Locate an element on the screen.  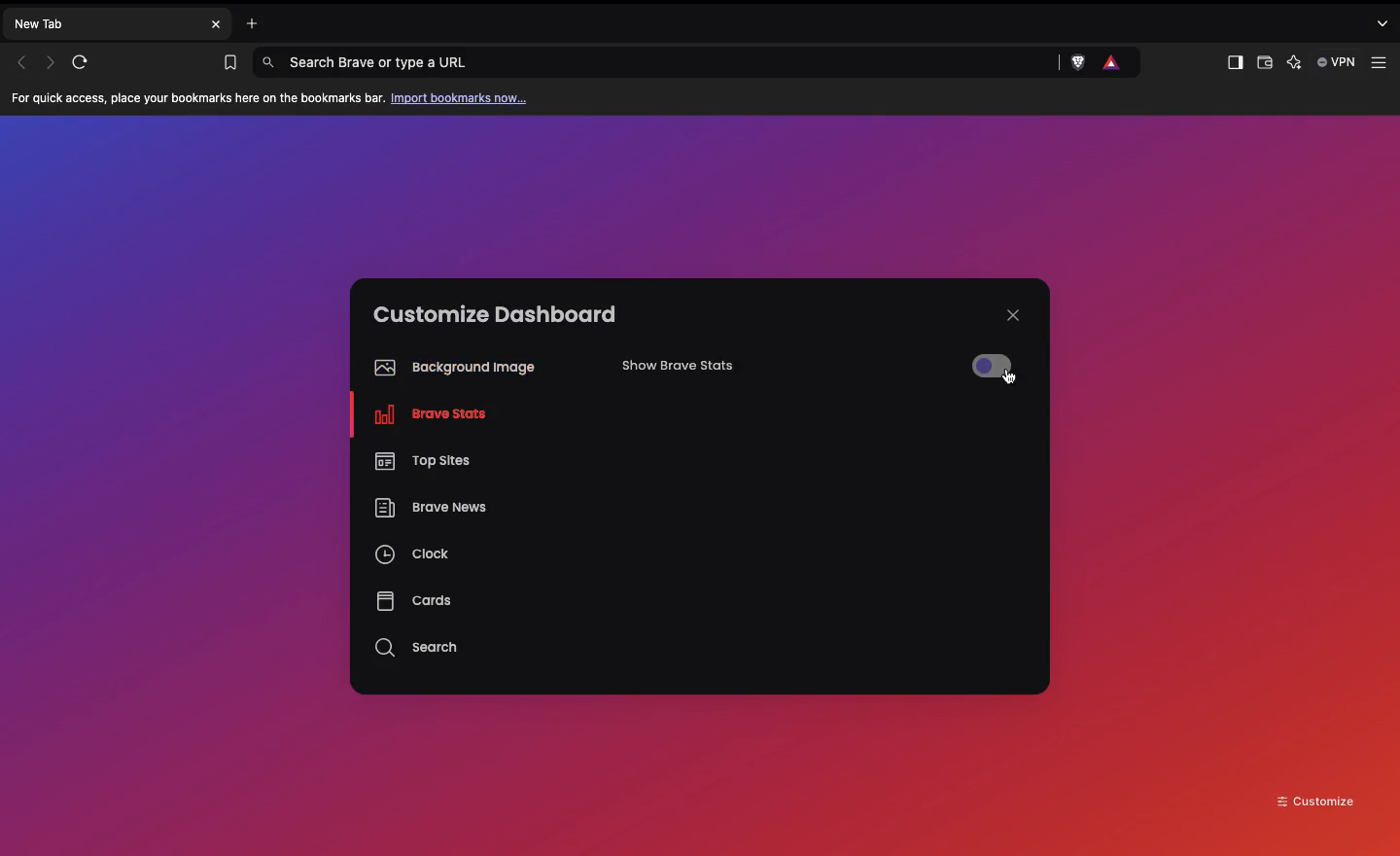
Close is located at coordinates (1013, 315).